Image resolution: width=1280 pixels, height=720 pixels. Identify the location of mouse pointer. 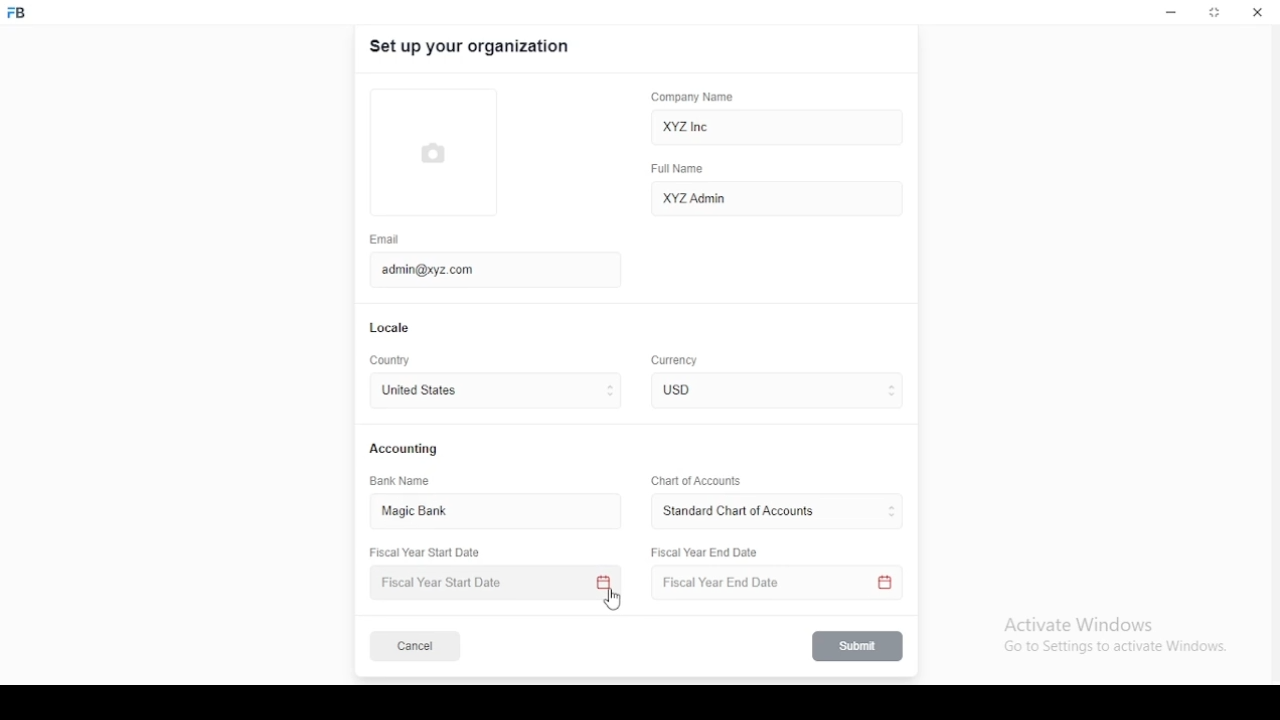
(615, 601).